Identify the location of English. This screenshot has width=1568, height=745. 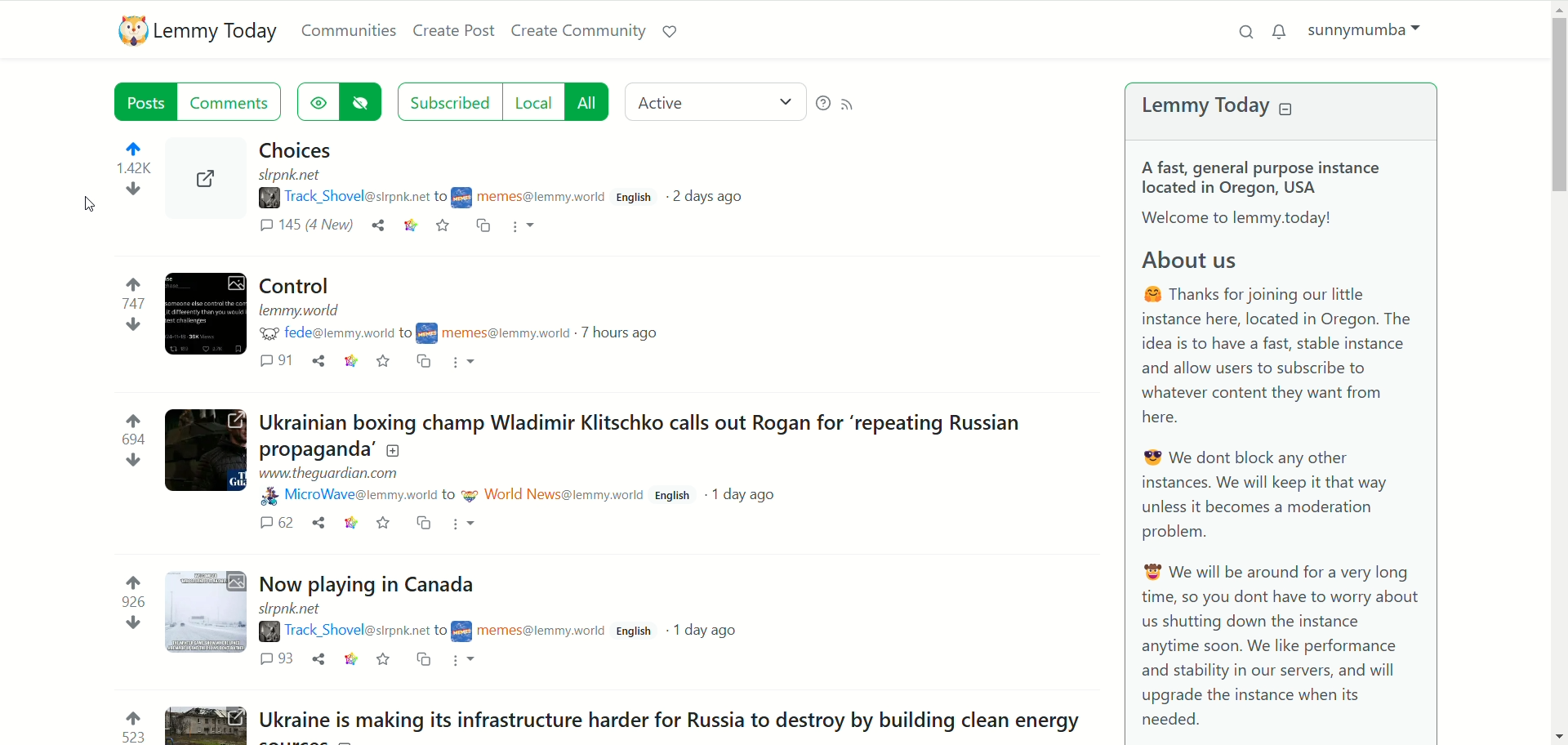
(639, 198).